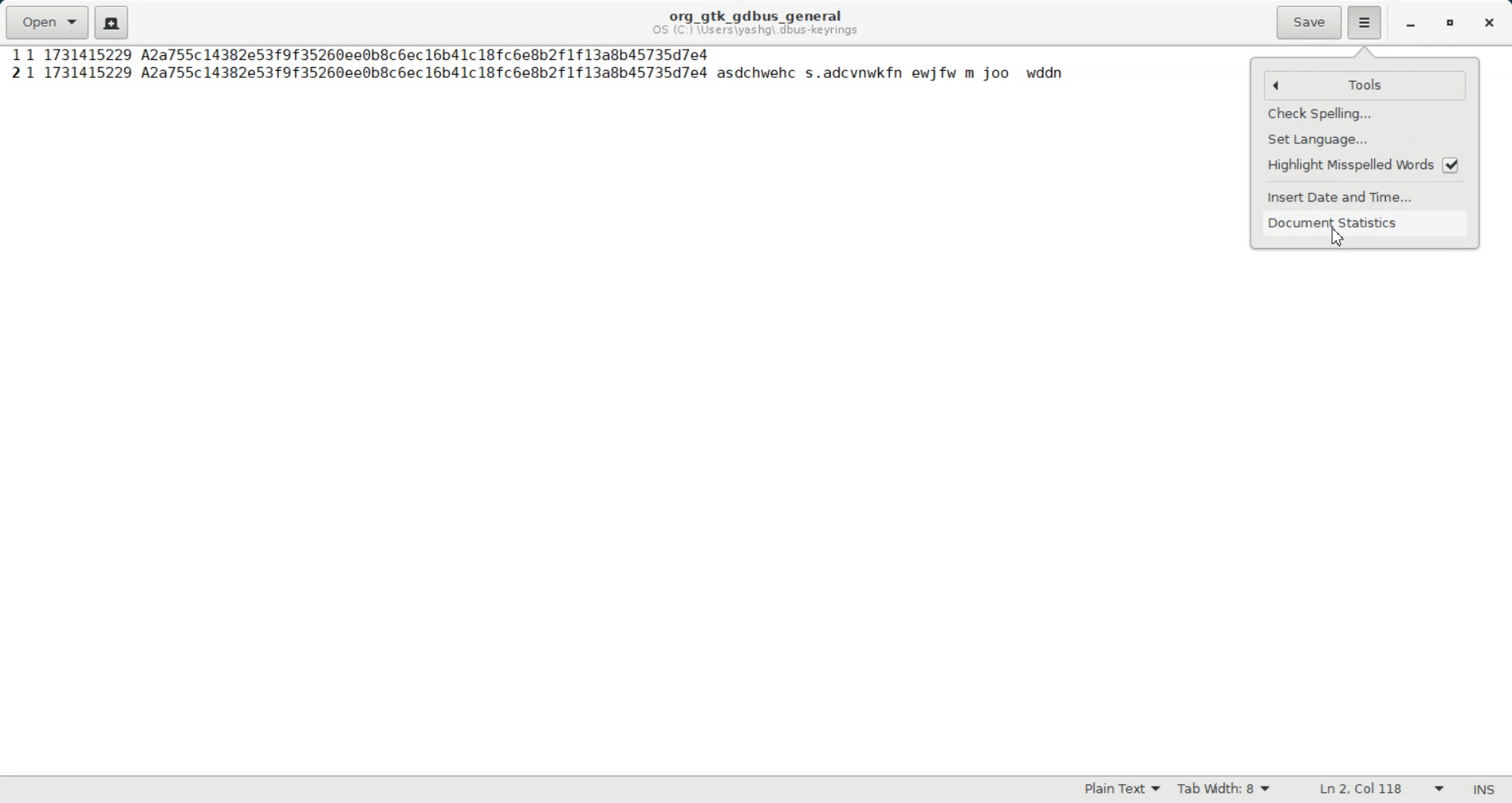 The width and height of the screenshot is (1512, 803). What do you see at coordinates (1366, 138) in the screenshot?
I see `Set Language` at bounding box center [1366, 138].